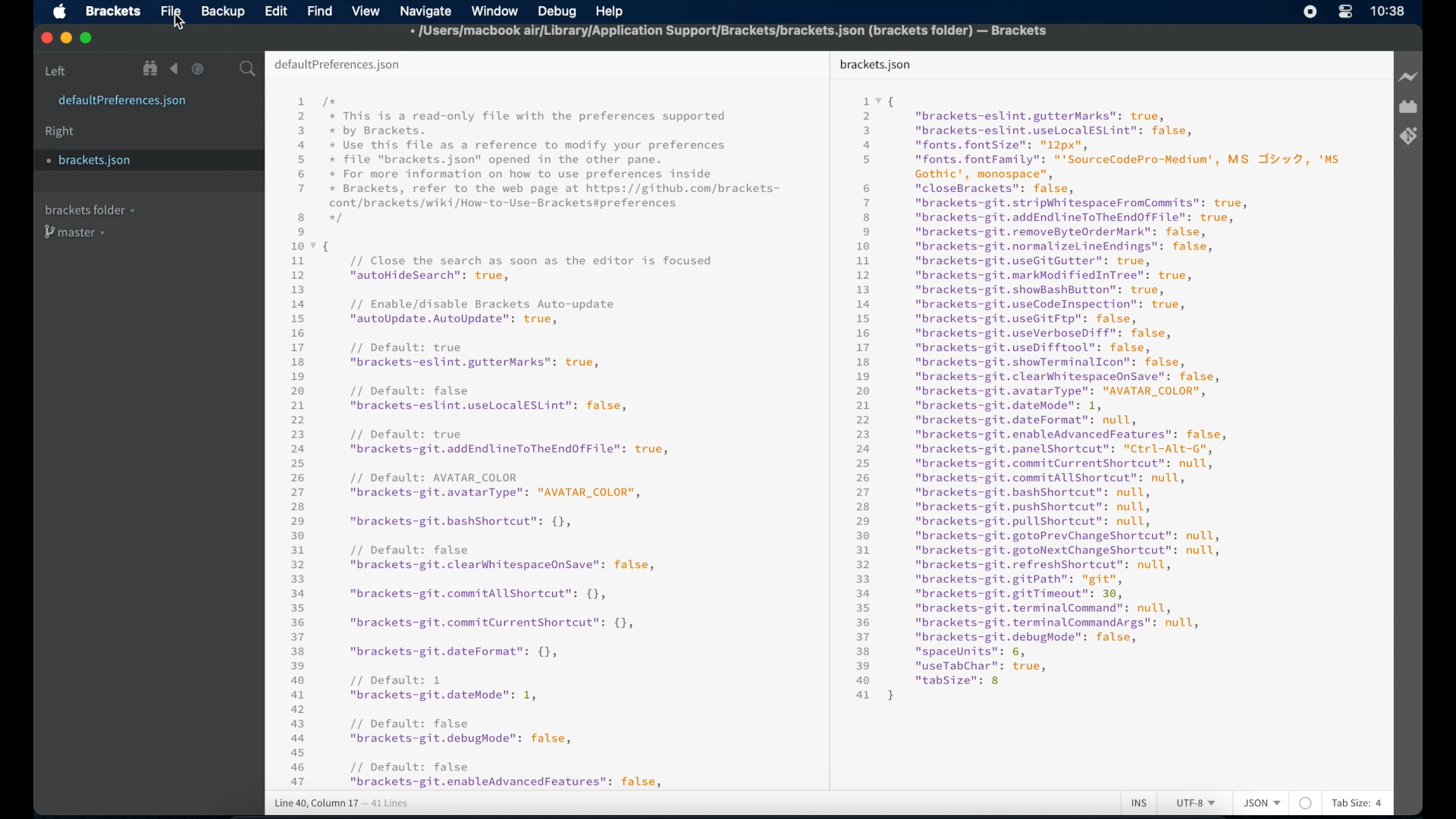 This screenshot has width=1456, height=819. What do you see at coordinates (275, 11) in the screenshot?
I see `edit` at bounding box center [275, 11].